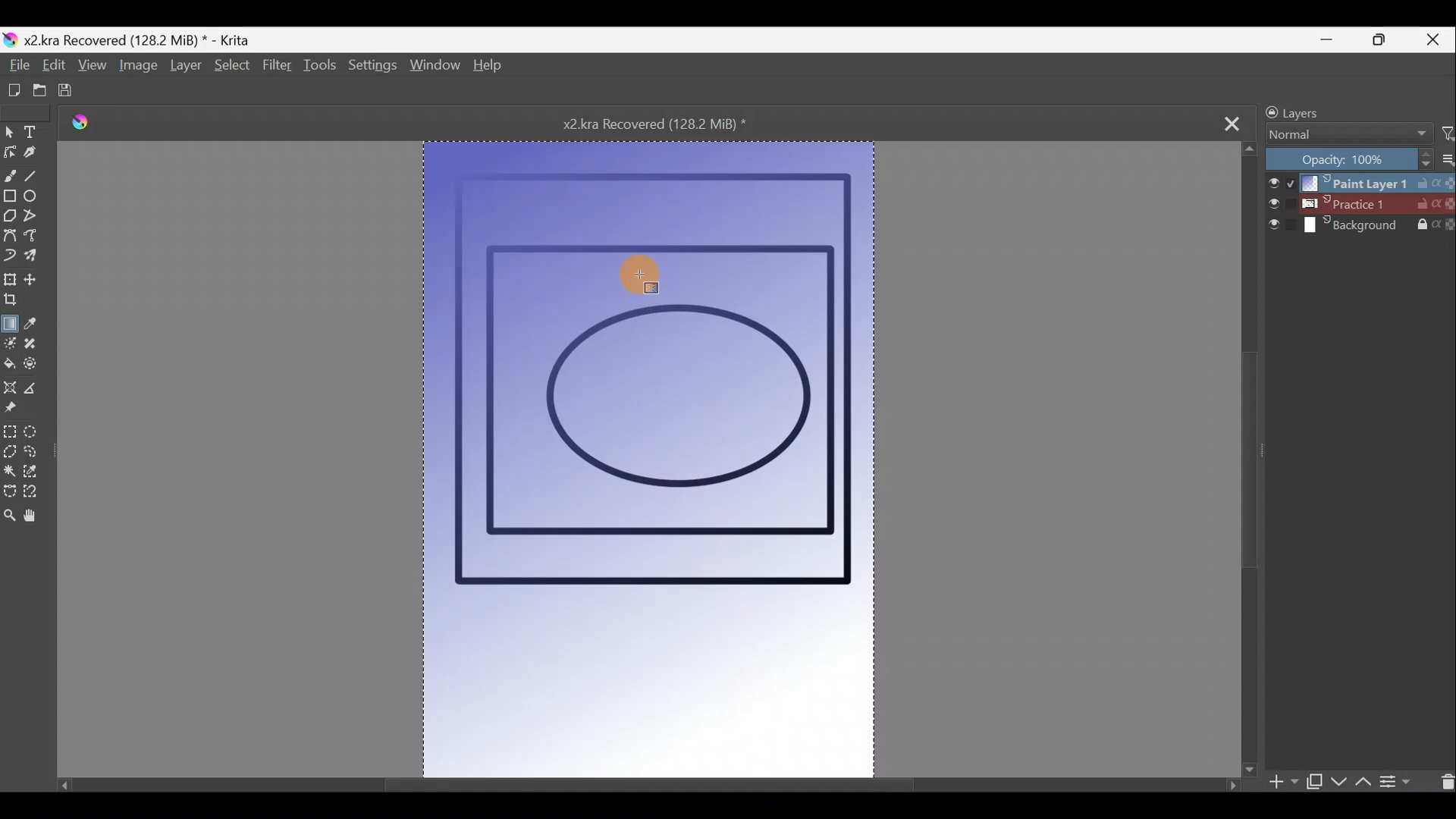 Image resolution: width=1456 pixels, height=819 pixels. I want to click on Layer 1, so click(1357, 181).